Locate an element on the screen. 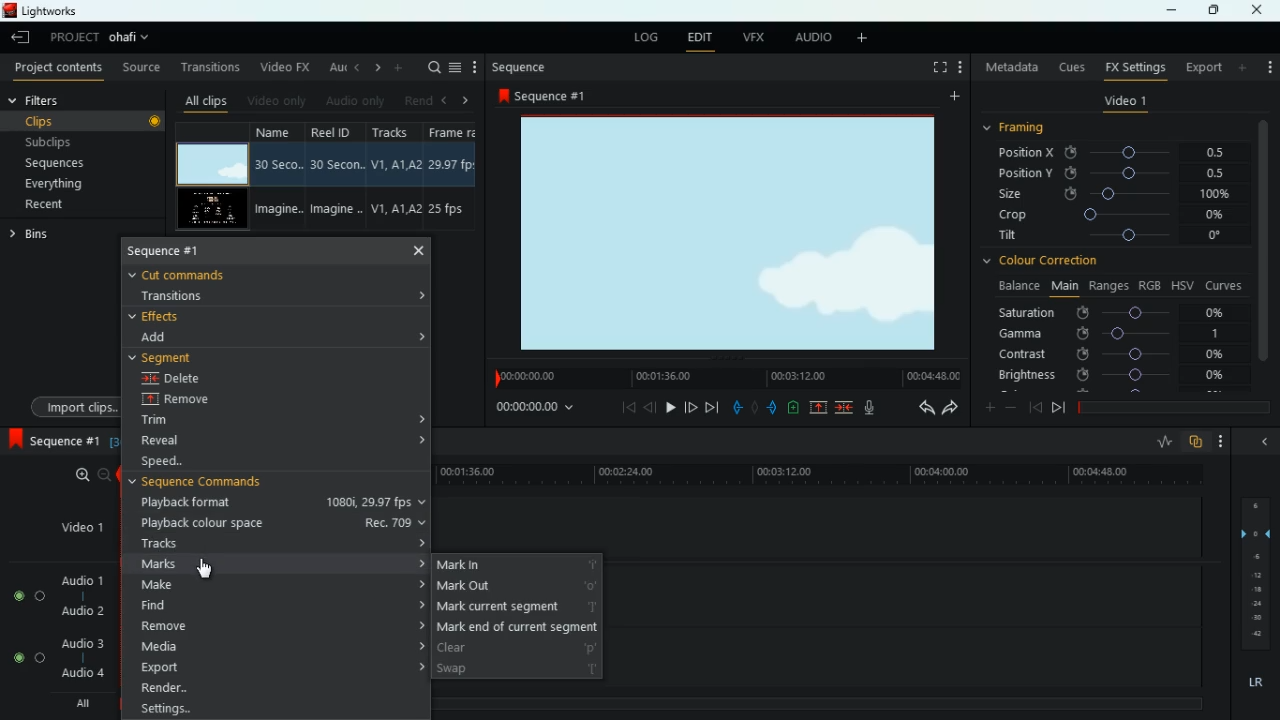  remove is located at coordinates (184, 400).